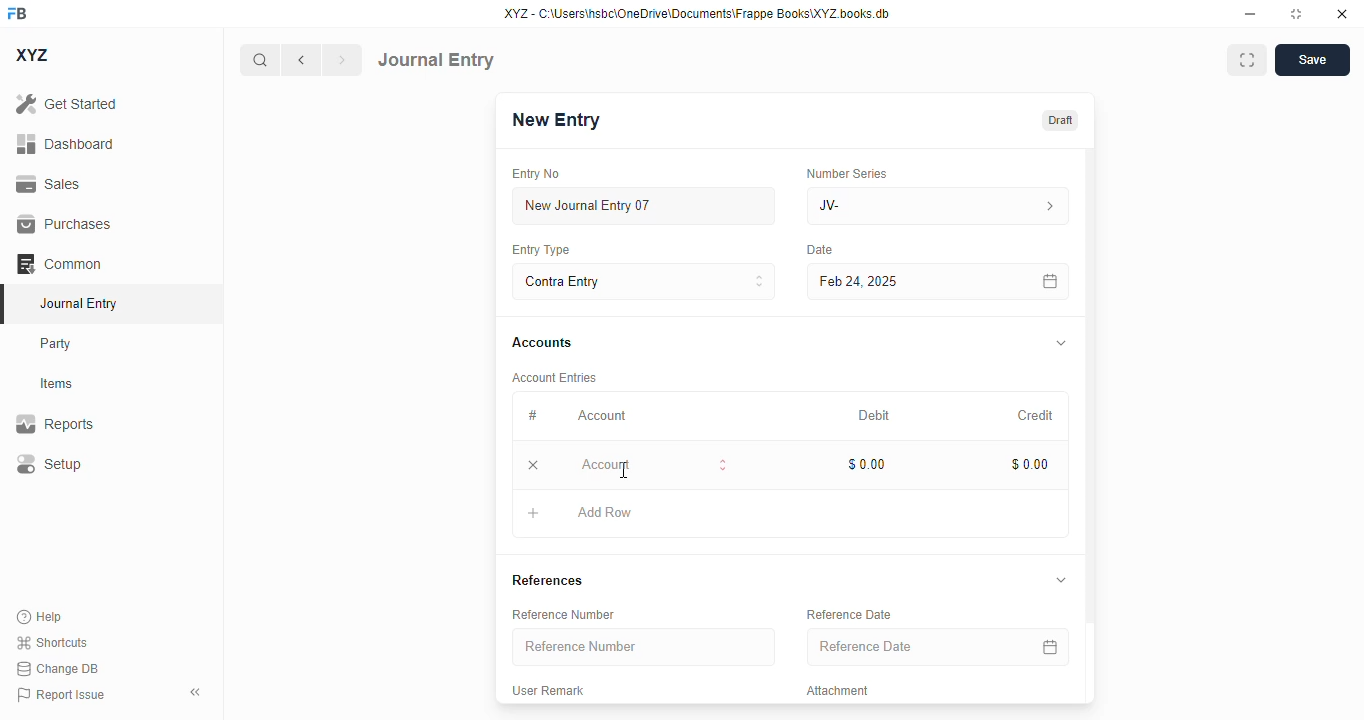  I want to click on feb 24, 2025, so click(895, 282).